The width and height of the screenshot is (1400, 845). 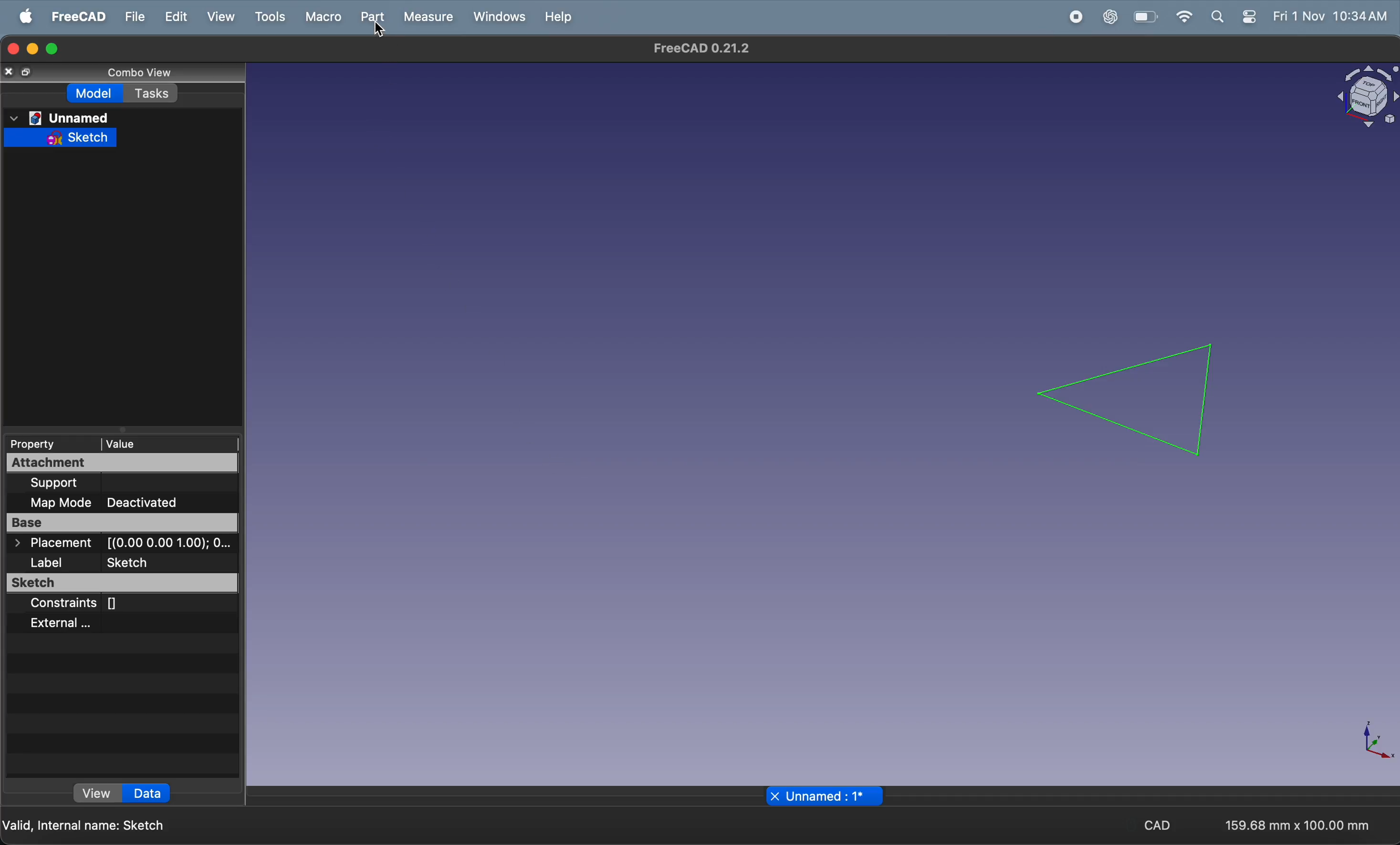 I want to click on closing window, so click(x=12, y=47).